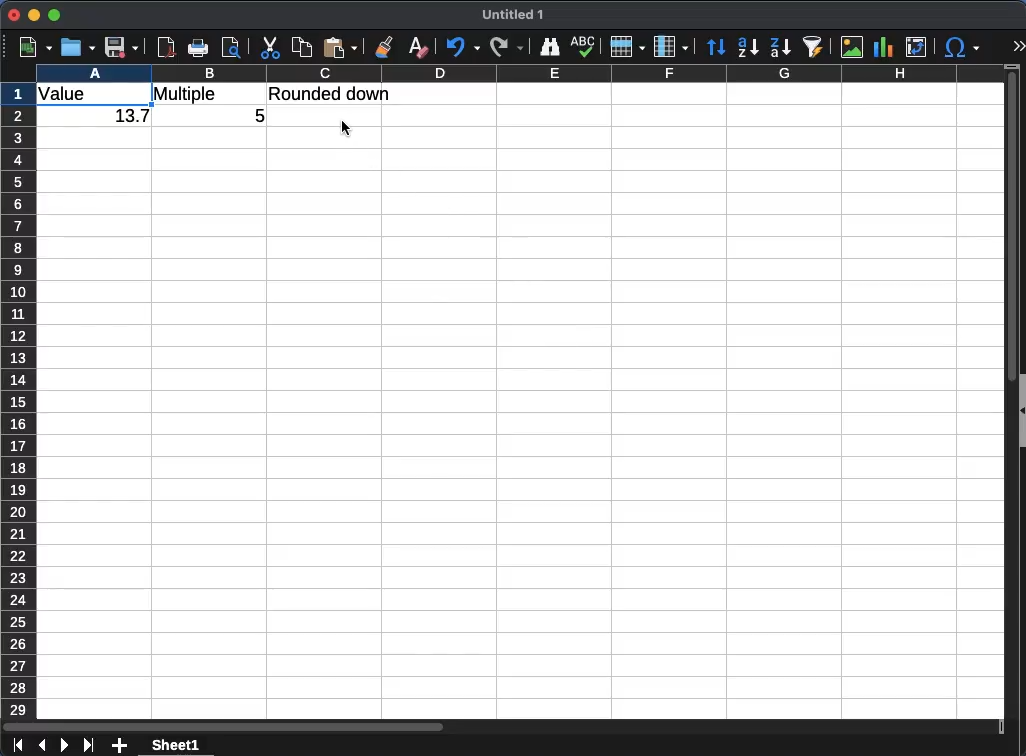  I want to click on add sheet, so click(119, 744).